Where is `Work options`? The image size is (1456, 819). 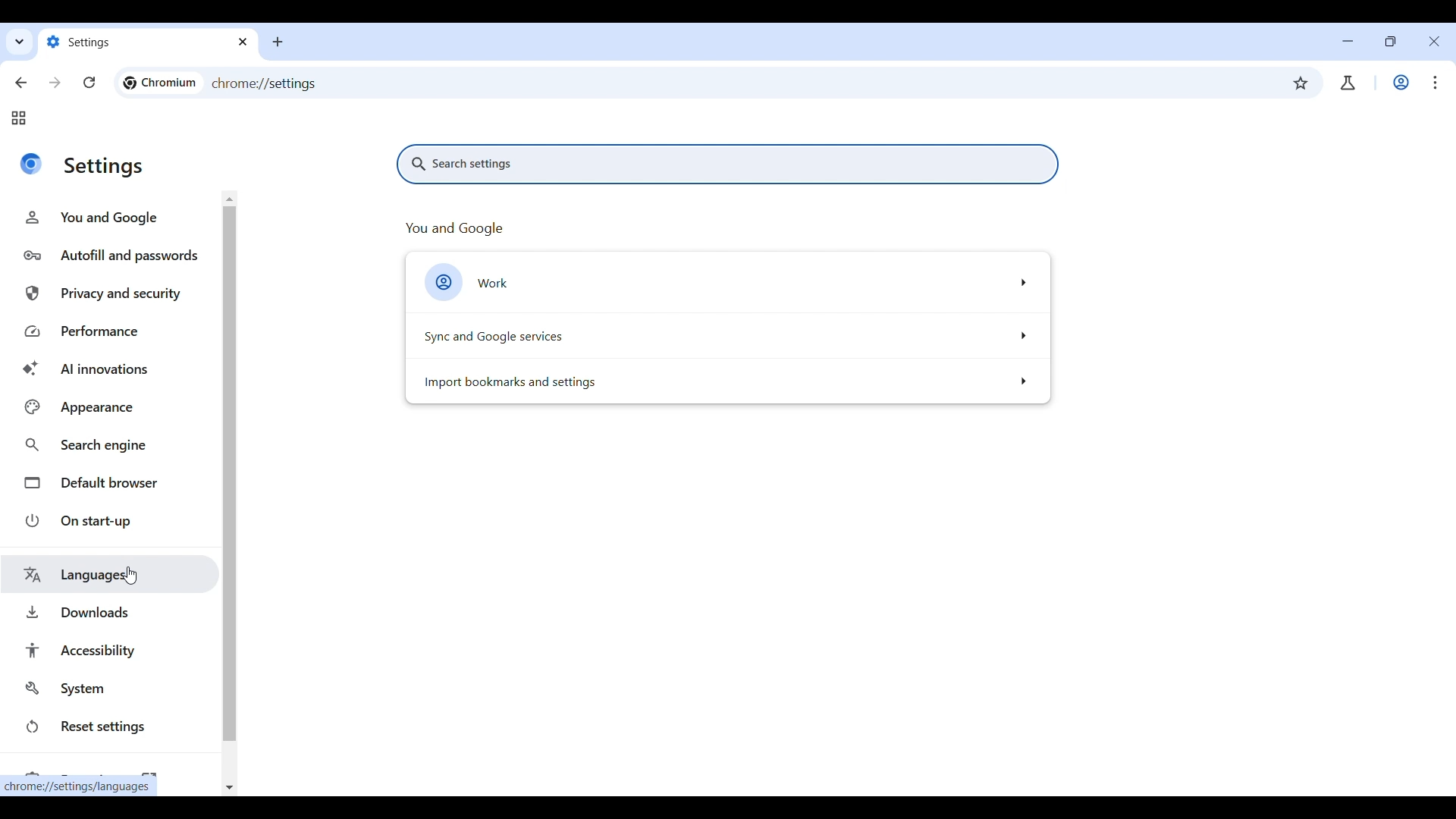 Work options is located at coordinates (726, 283).